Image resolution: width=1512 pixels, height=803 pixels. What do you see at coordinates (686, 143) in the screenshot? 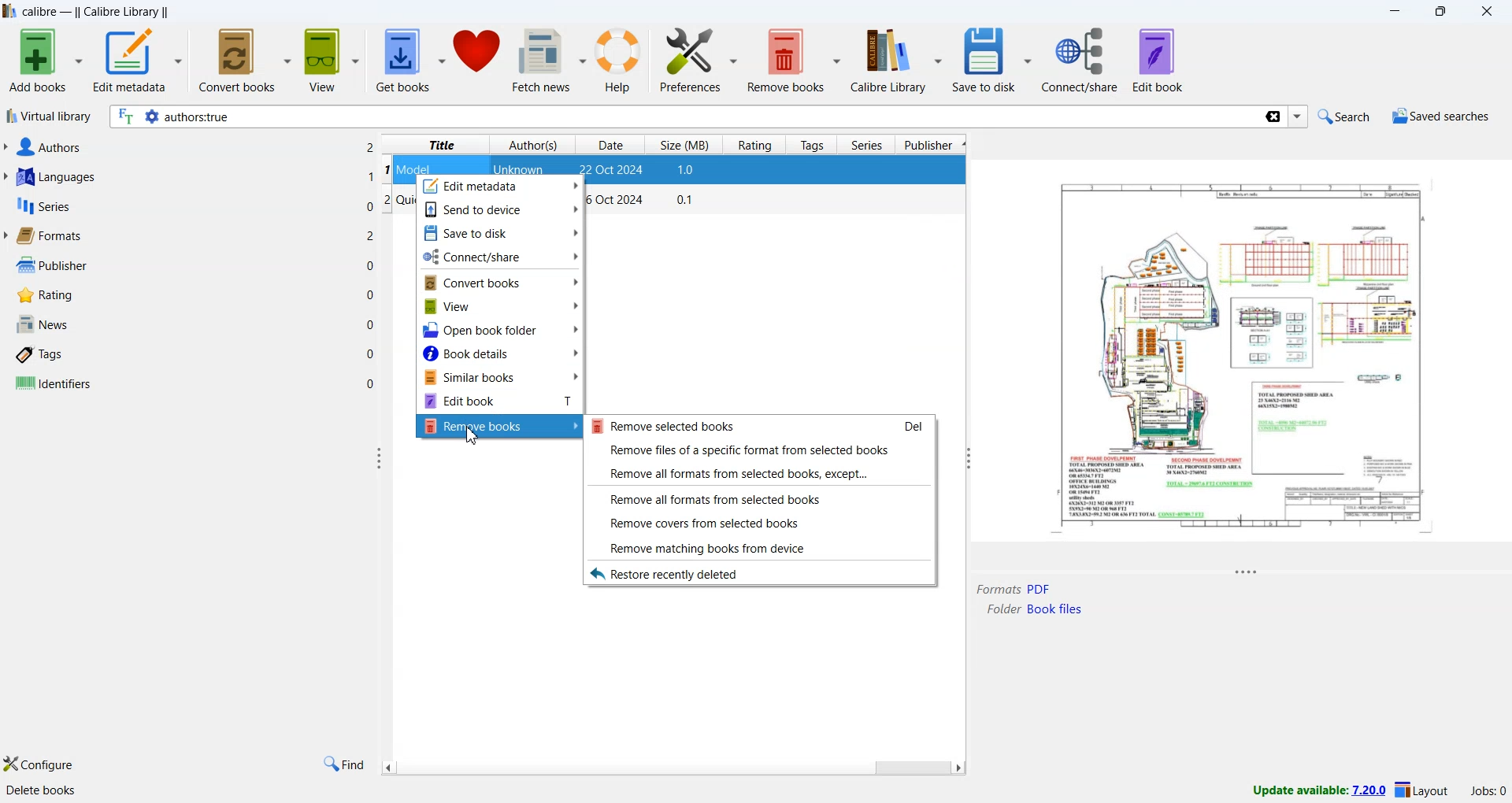
I see `size` at bounding box center [686, 143].